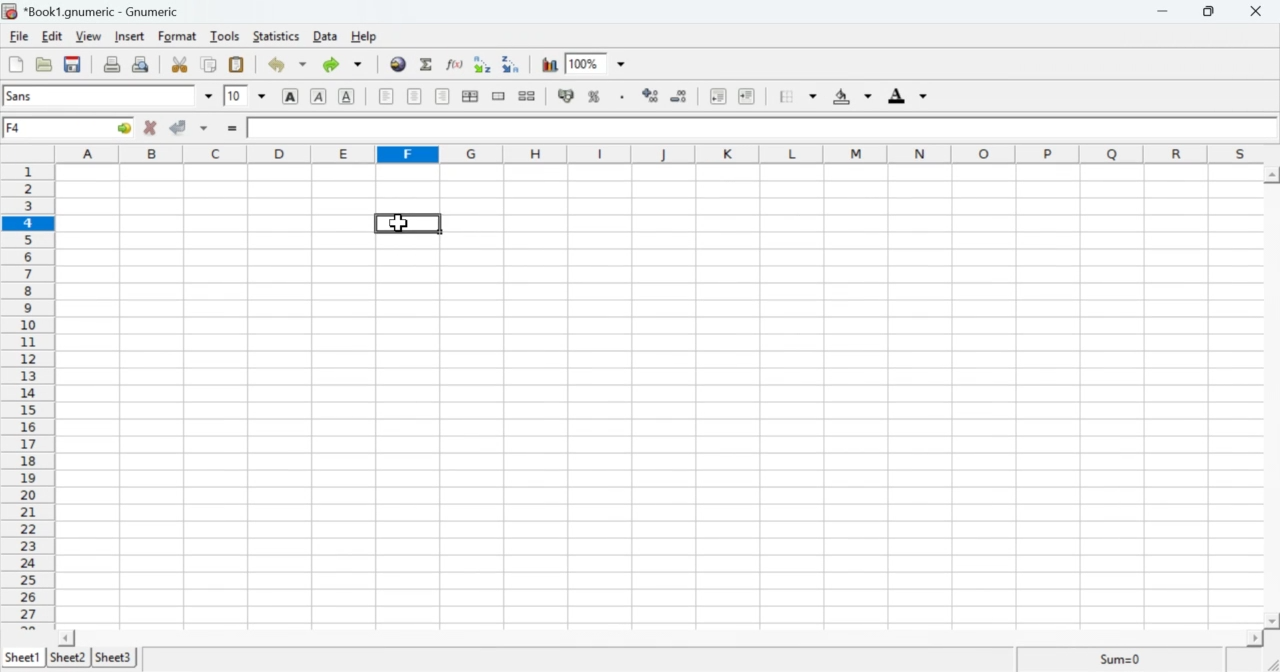 This screenshot has width=1280, height=672. Describe the element at coordinates (180, 125) in the screenshot. I see `Accept change` at that location.